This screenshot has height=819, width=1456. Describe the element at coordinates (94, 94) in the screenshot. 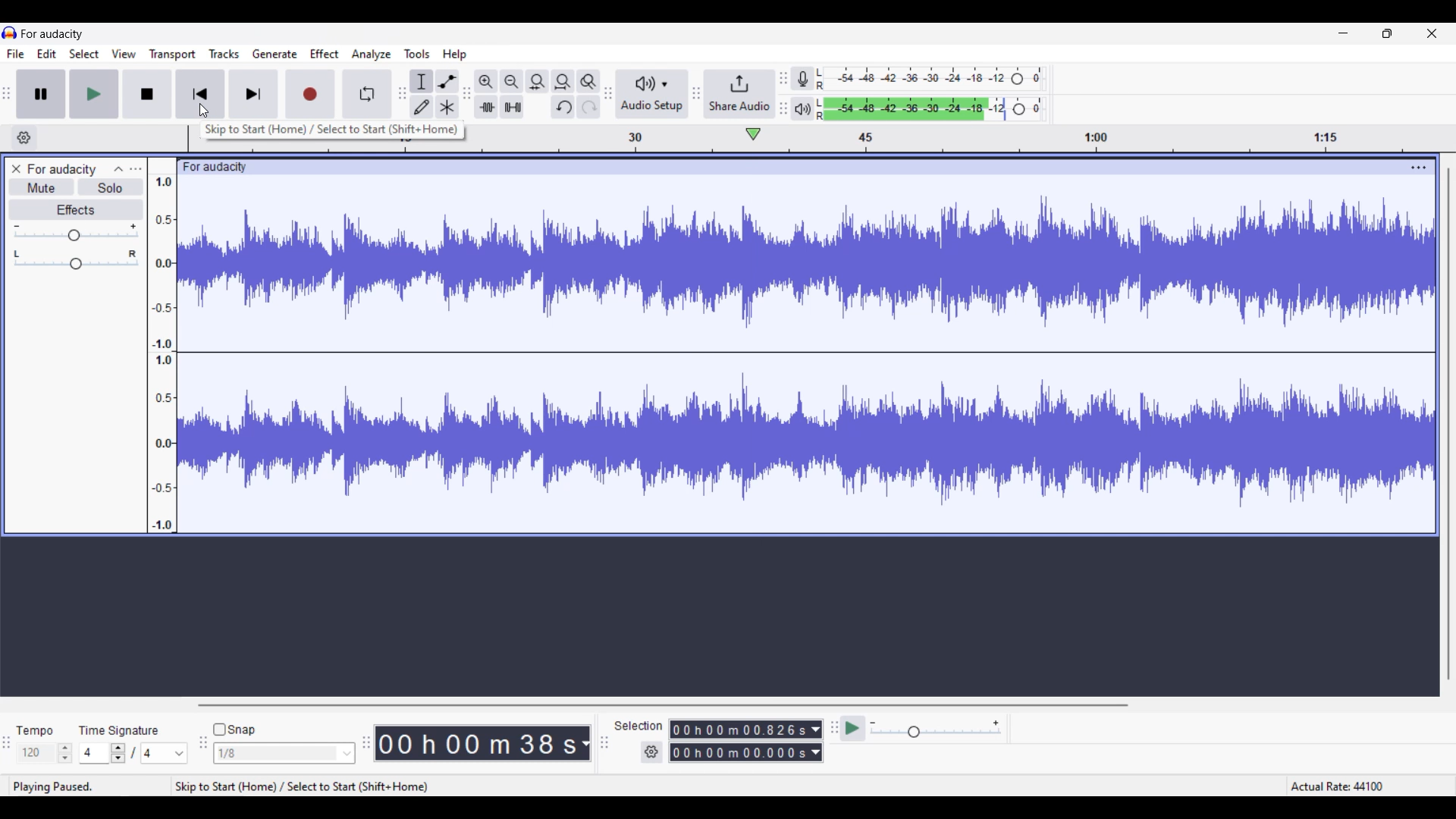

I see `Play/Play once` at that location.